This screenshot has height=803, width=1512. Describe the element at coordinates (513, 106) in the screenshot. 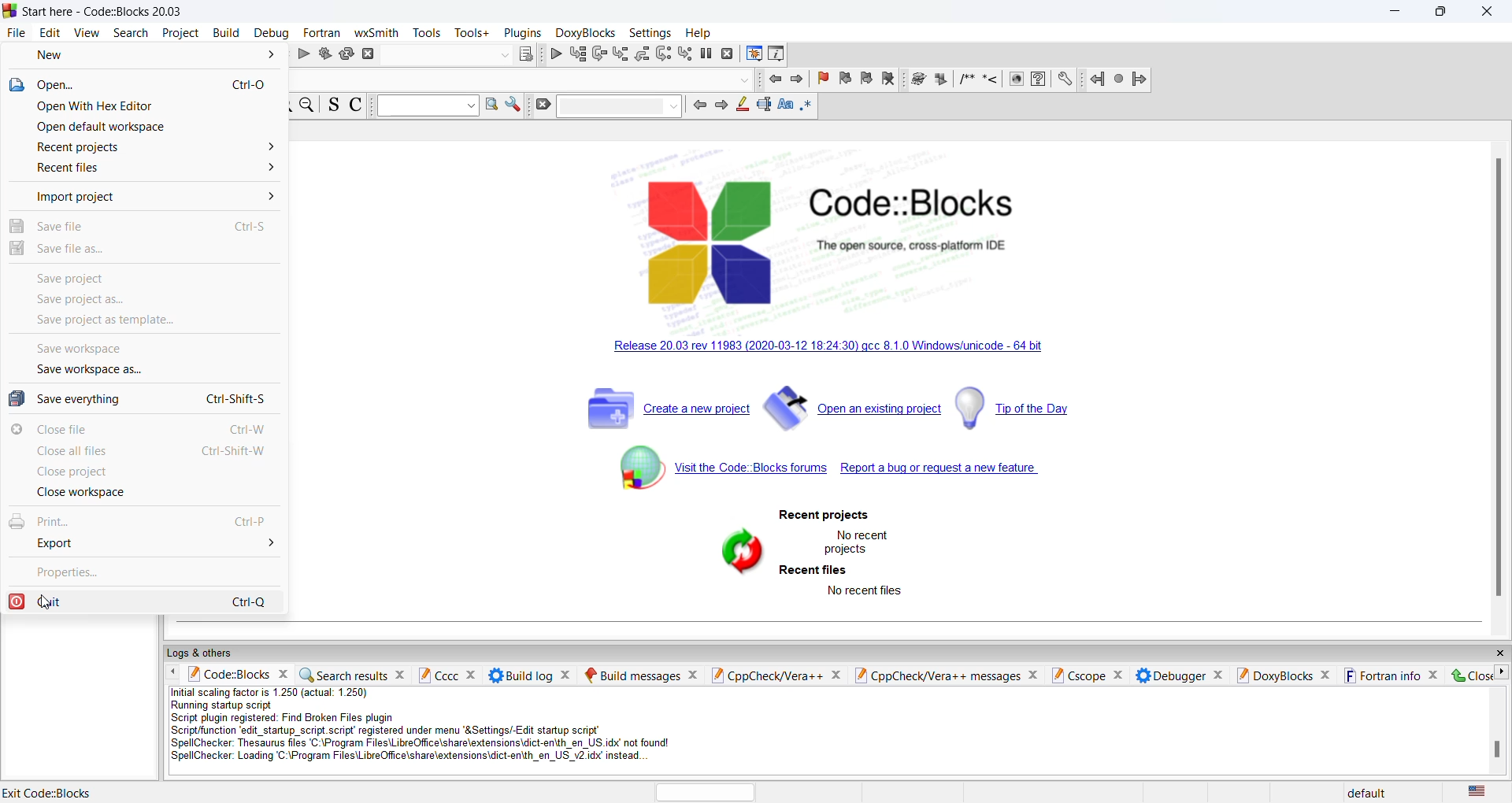

I see `settings` at that location.